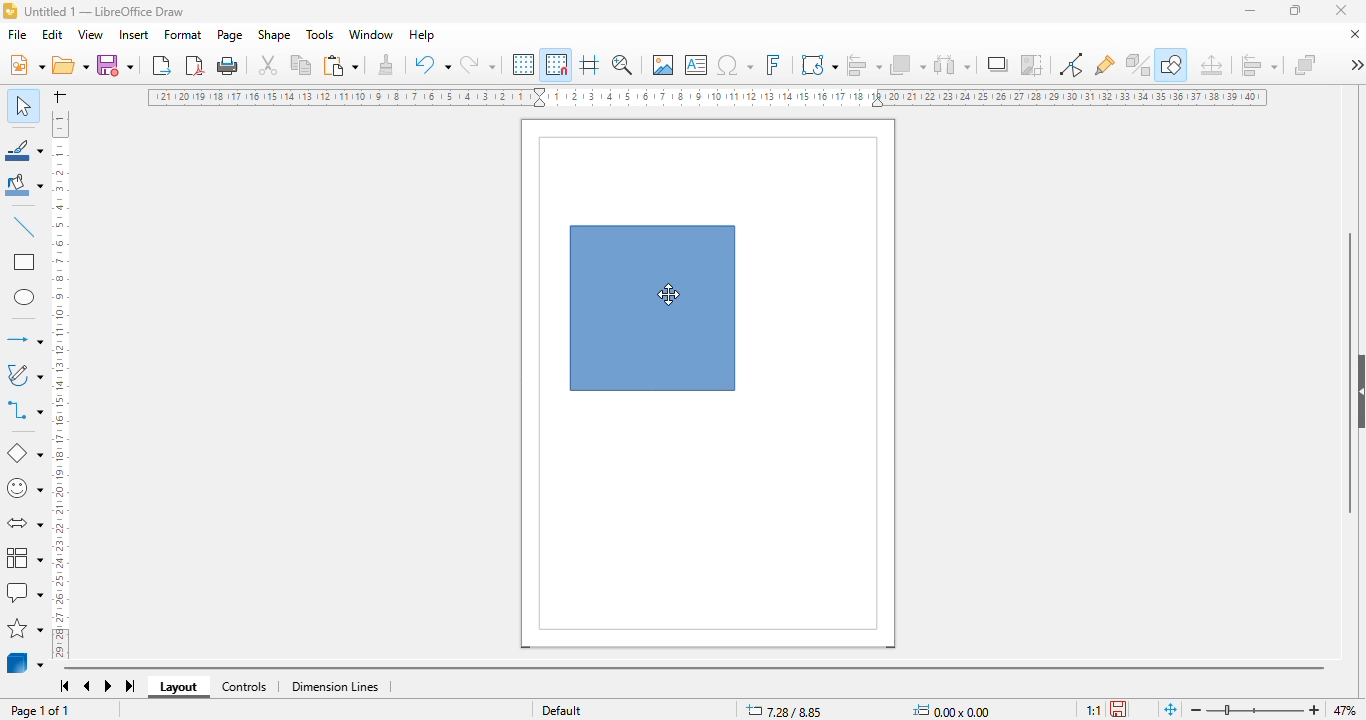  Describe the element at coordinates (23, 262) in the screenshot. I see `rectangle` at that location.